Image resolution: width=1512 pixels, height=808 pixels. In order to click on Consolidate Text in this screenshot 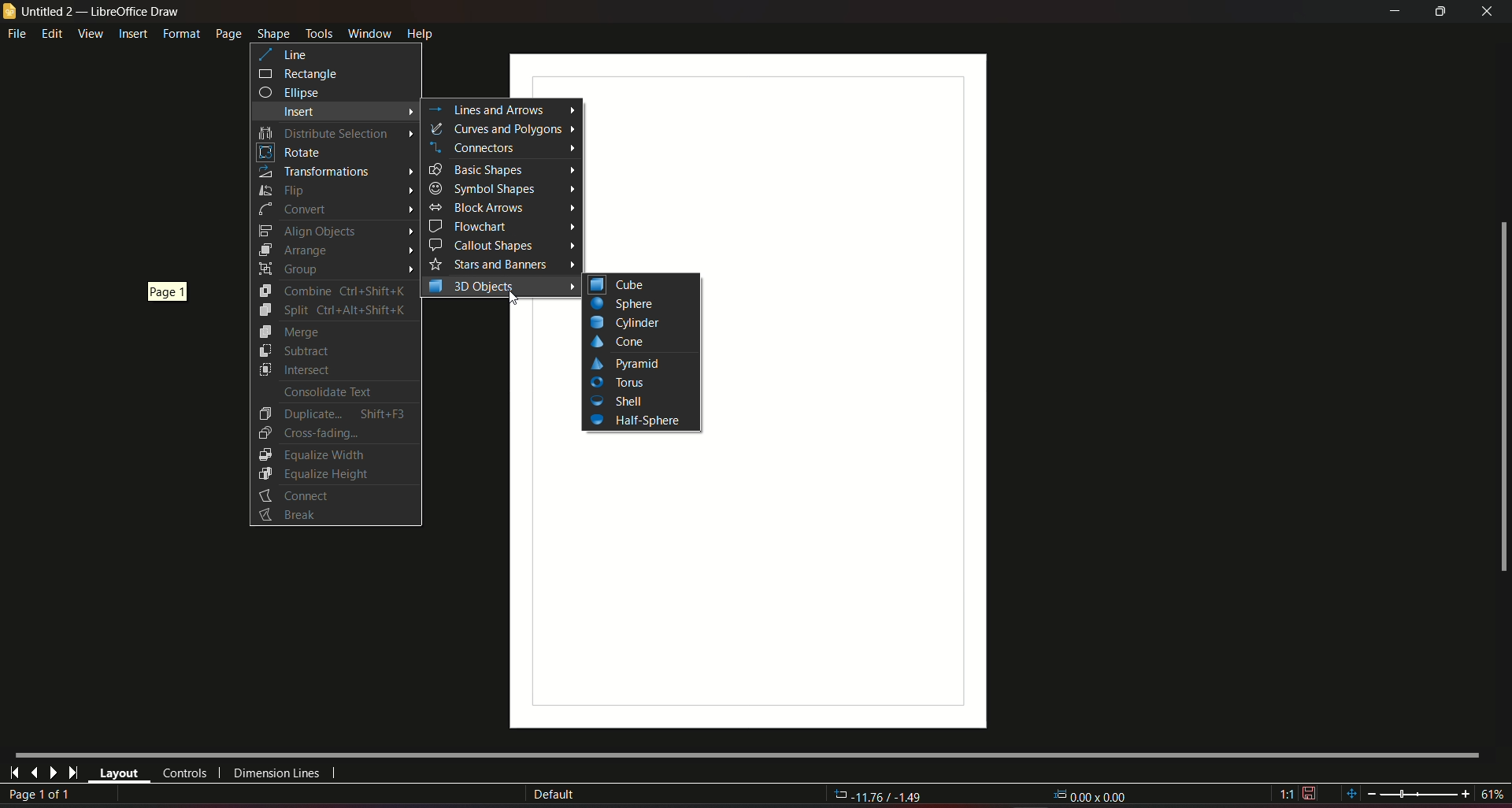, I will do `click(332, 392)`.